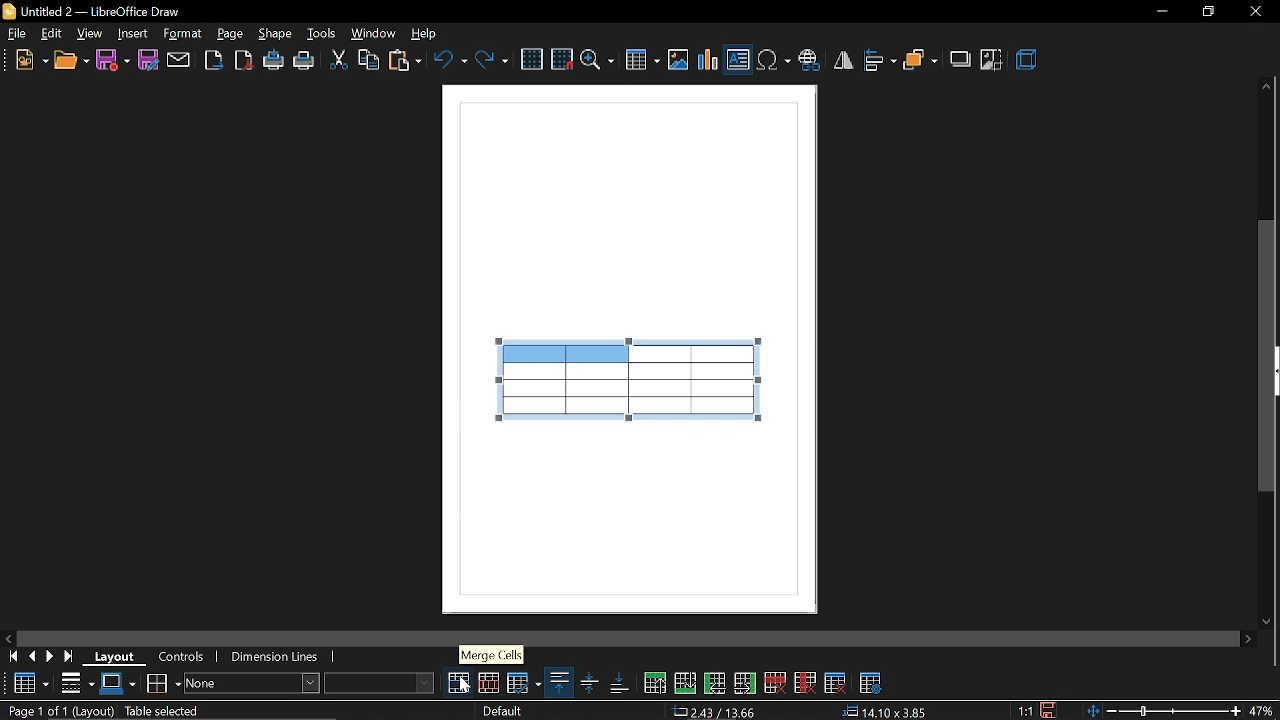 This screenshot has width=1280, height=720. I want to click on export as, so click(214, 61).